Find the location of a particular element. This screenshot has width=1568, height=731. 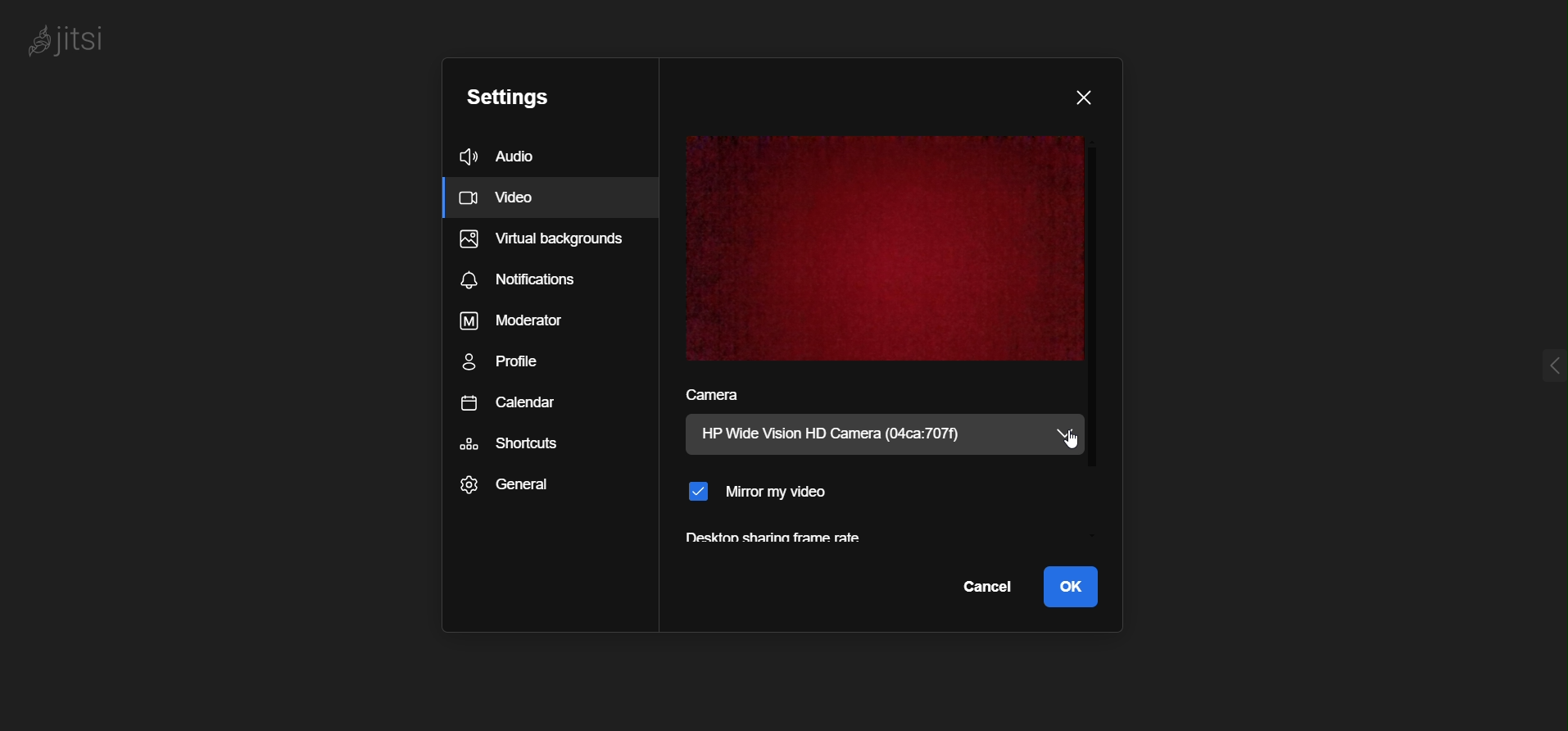

desktop sharing frame rate is located at coordinates (774, 540).